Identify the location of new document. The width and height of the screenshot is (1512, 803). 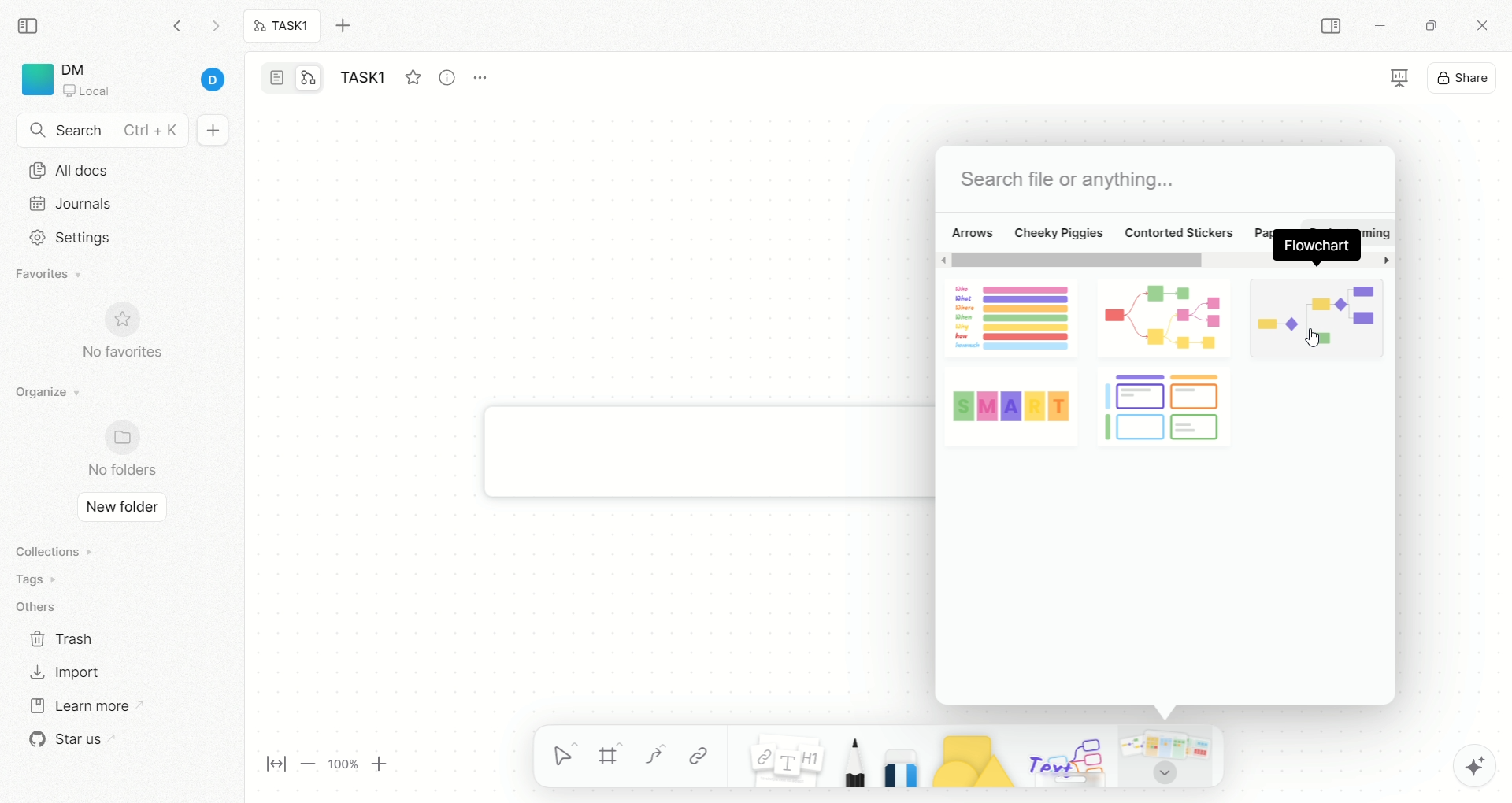
(210, 131).